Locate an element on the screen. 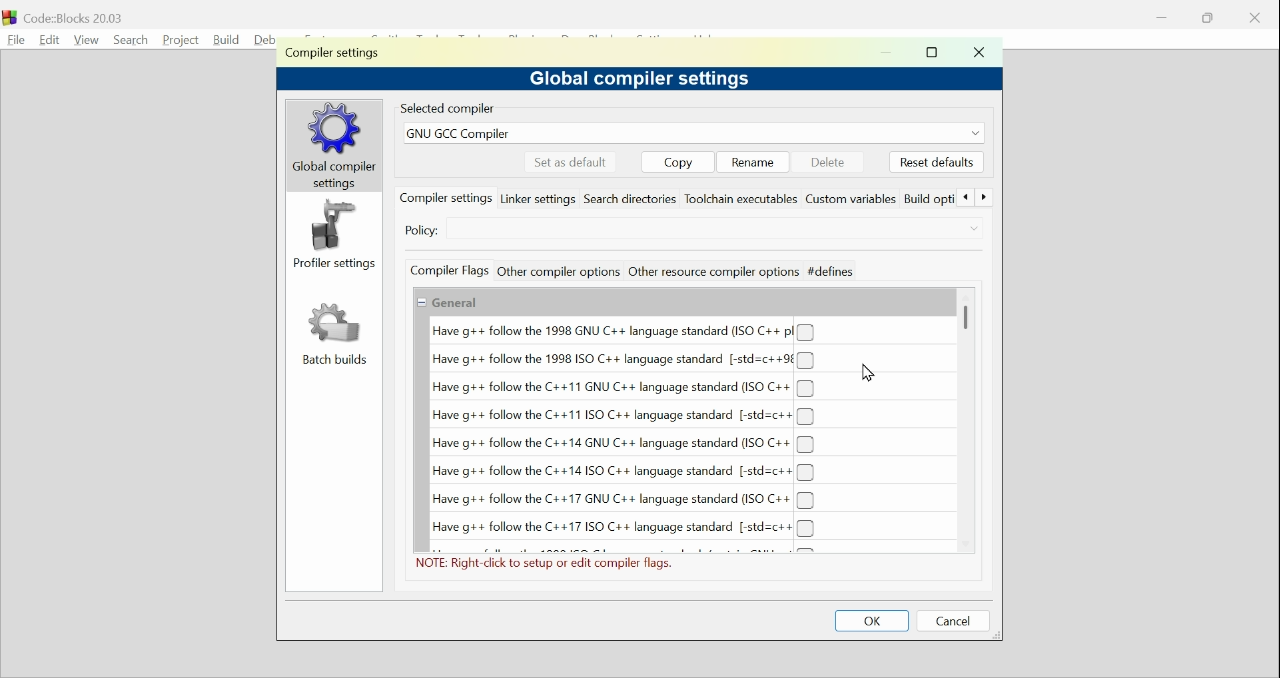 The height and width of the screenshot is (678, 1280). Vertical Scroll bar is located at coordinates (970, 316).